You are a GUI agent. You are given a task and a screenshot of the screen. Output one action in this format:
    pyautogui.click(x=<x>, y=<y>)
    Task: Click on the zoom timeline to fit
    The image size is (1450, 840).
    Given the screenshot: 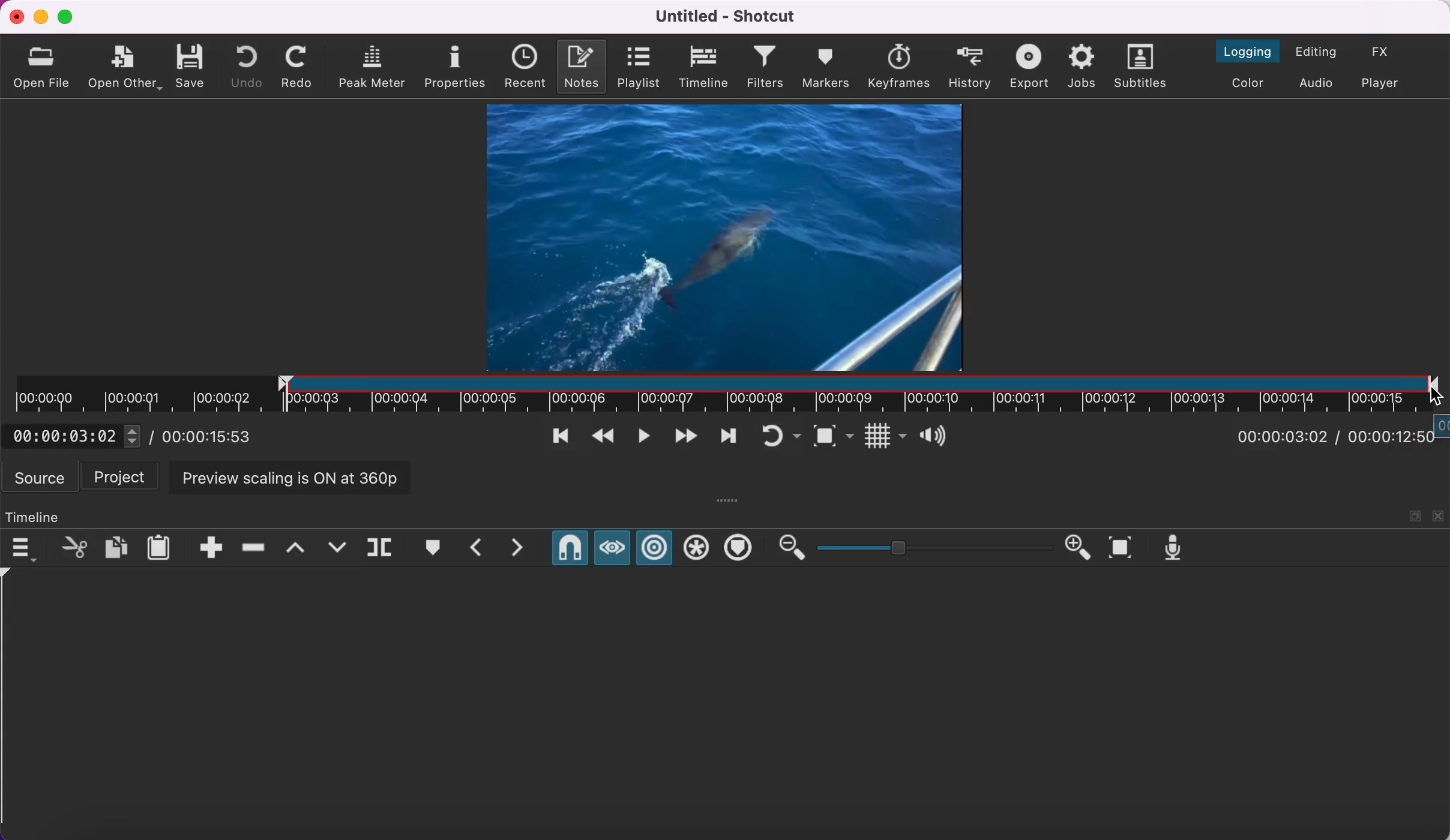 What is the action you would take?
    pyautogui.click(x=1125, y=548)
    